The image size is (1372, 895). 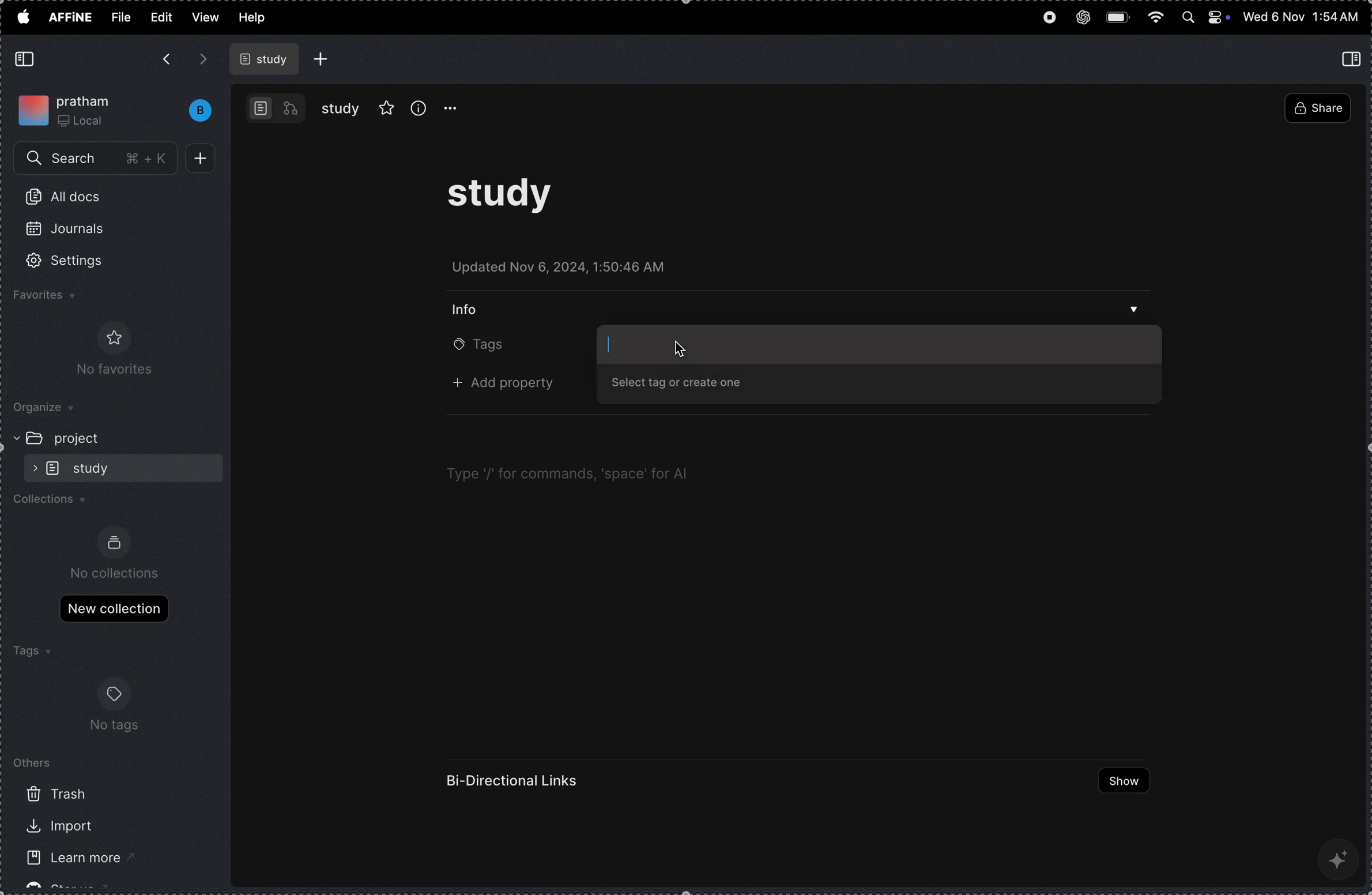 What do you see at coordinates (117, 728) in the screenshot?
I see `no tags` at bounding box center [117, 728].